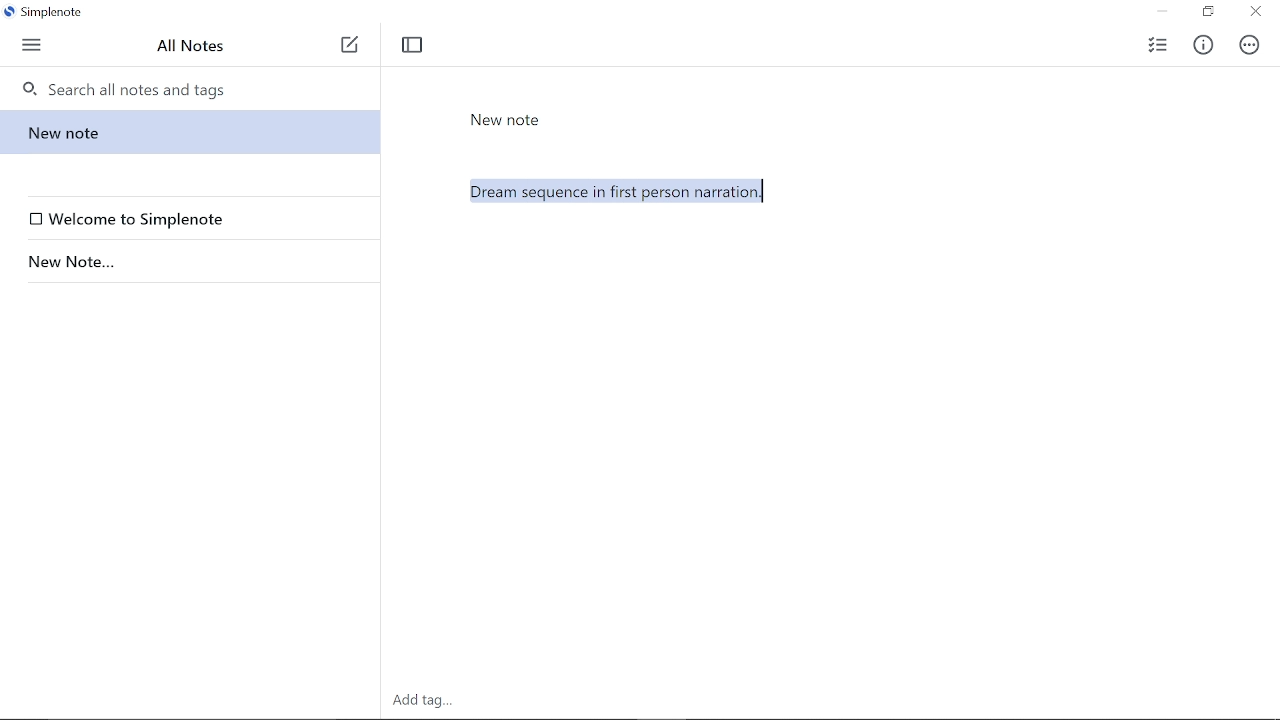  What do you see at coordinates (187, 132) in the screenshot?
I see `New note` at bounding box center [187, 132].